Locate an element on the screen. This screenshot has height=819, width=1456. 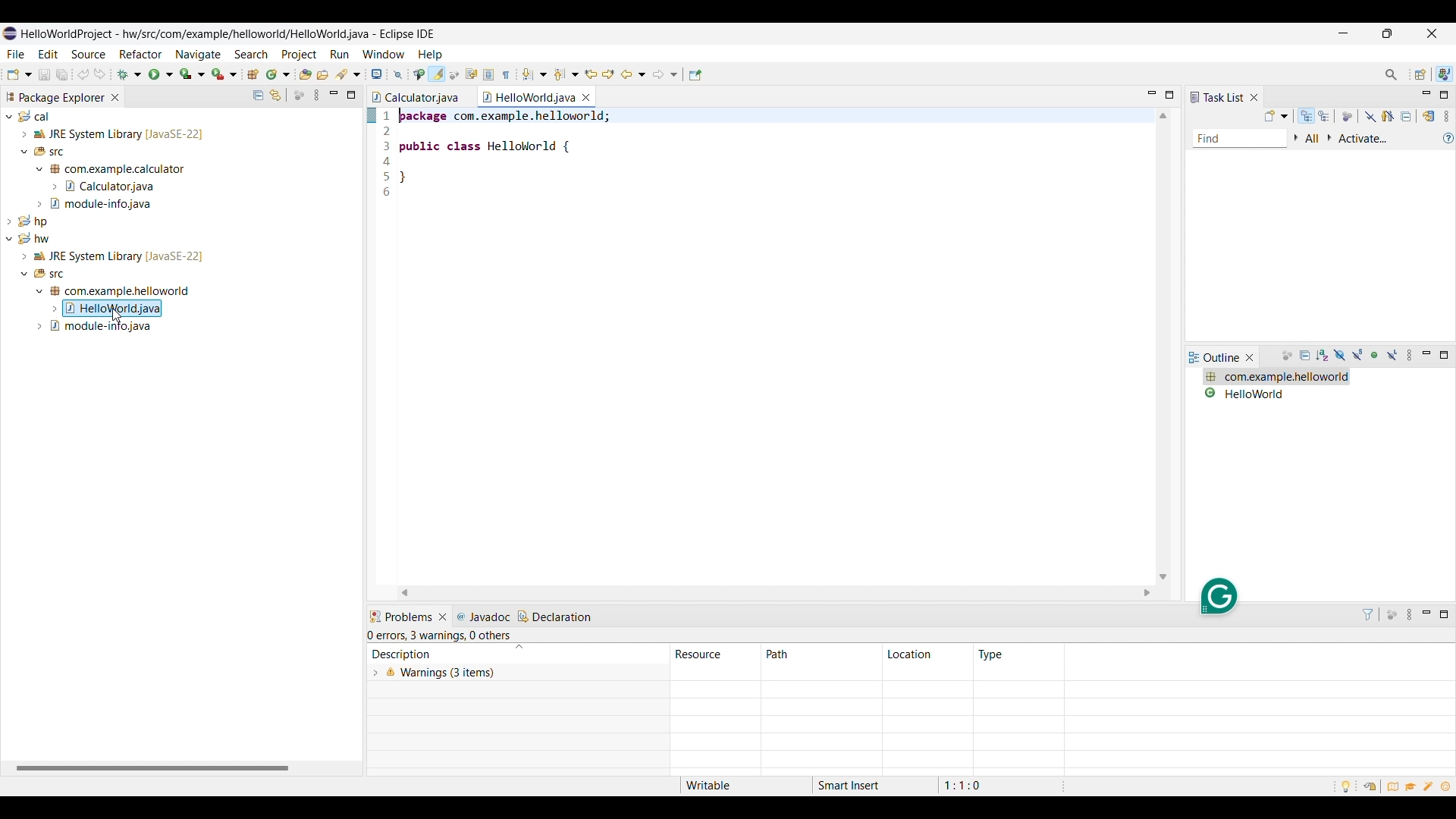
Horizontal slide bar is located at coordinates (152, 769).